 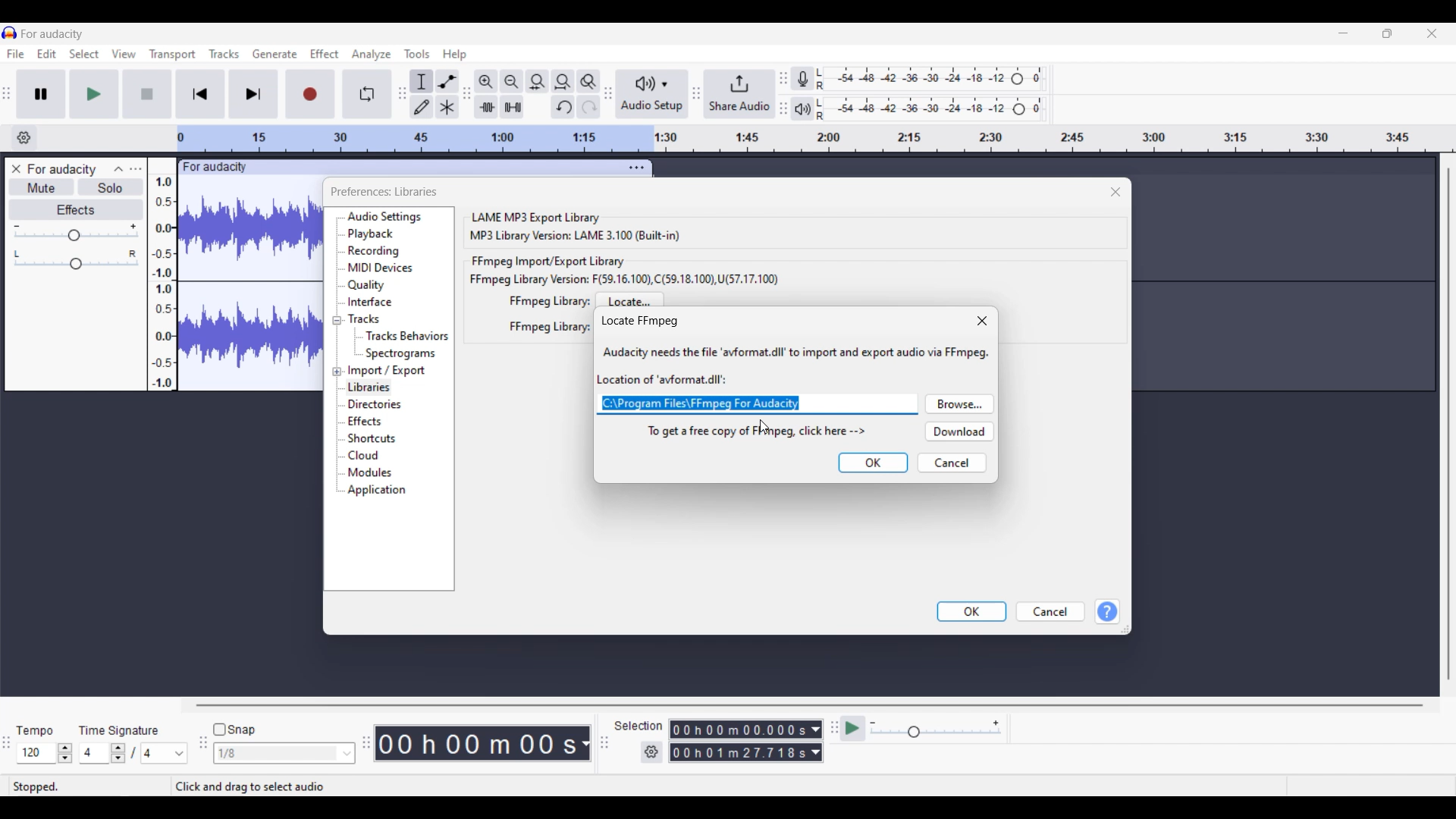 I want to click on Effects, so click(x=76, y=209).